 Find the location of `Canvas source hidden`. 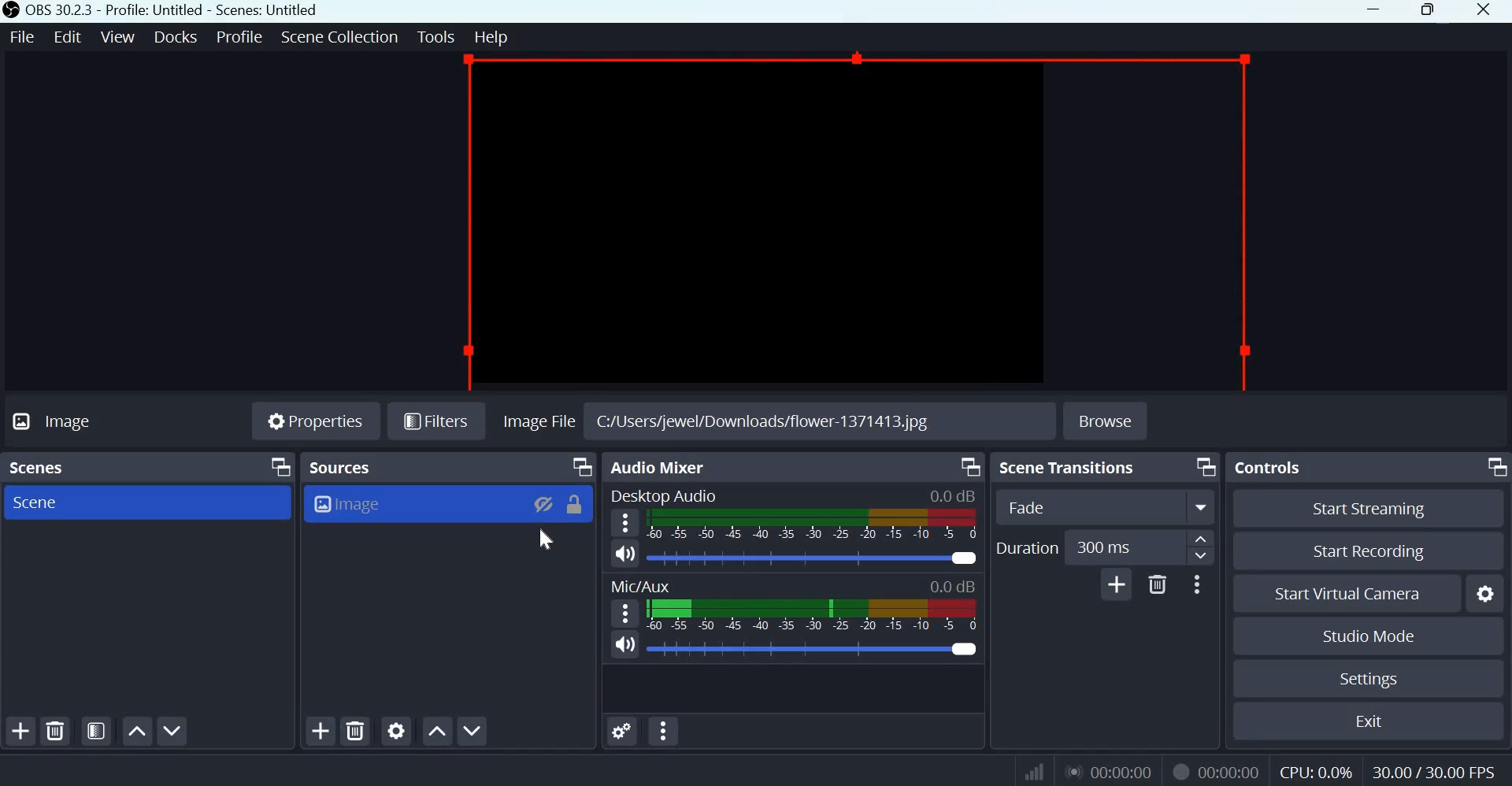

Canvas source hidden is located at coordinates (845, 222).